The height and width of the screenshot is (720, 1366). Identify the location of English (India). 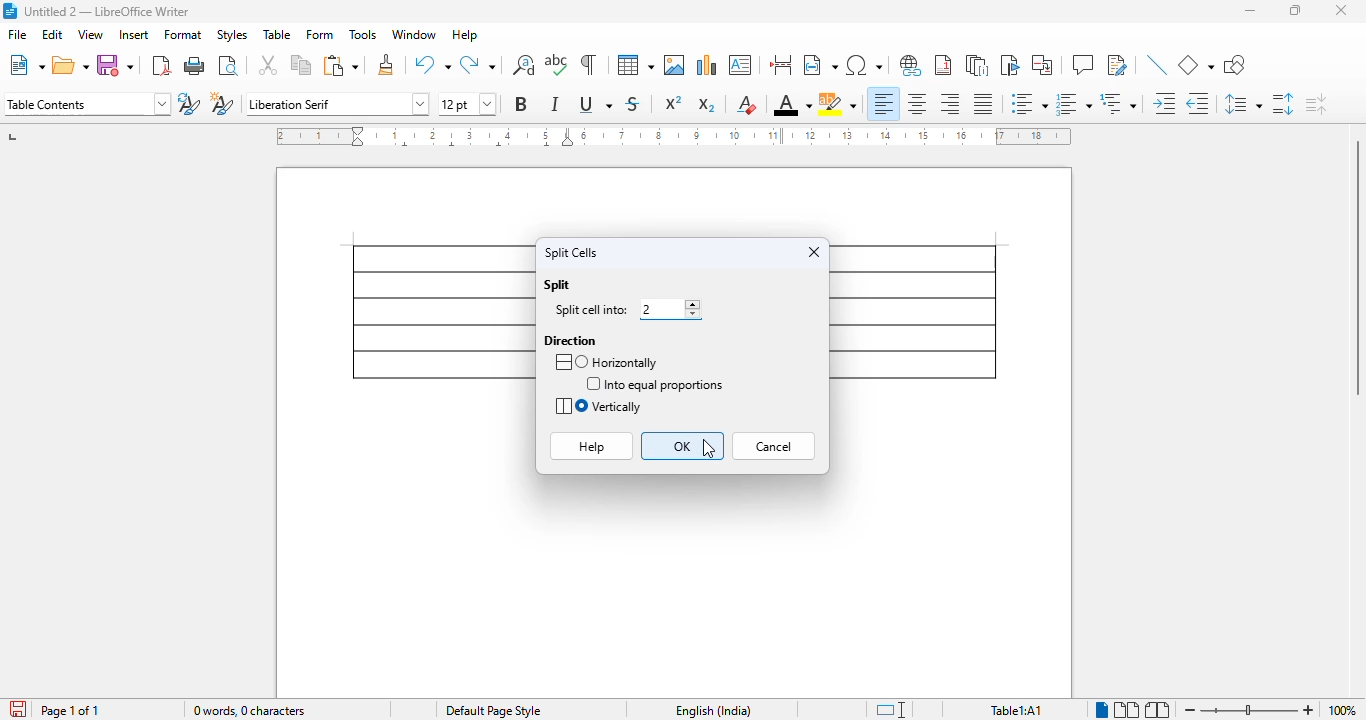
(713, 710).